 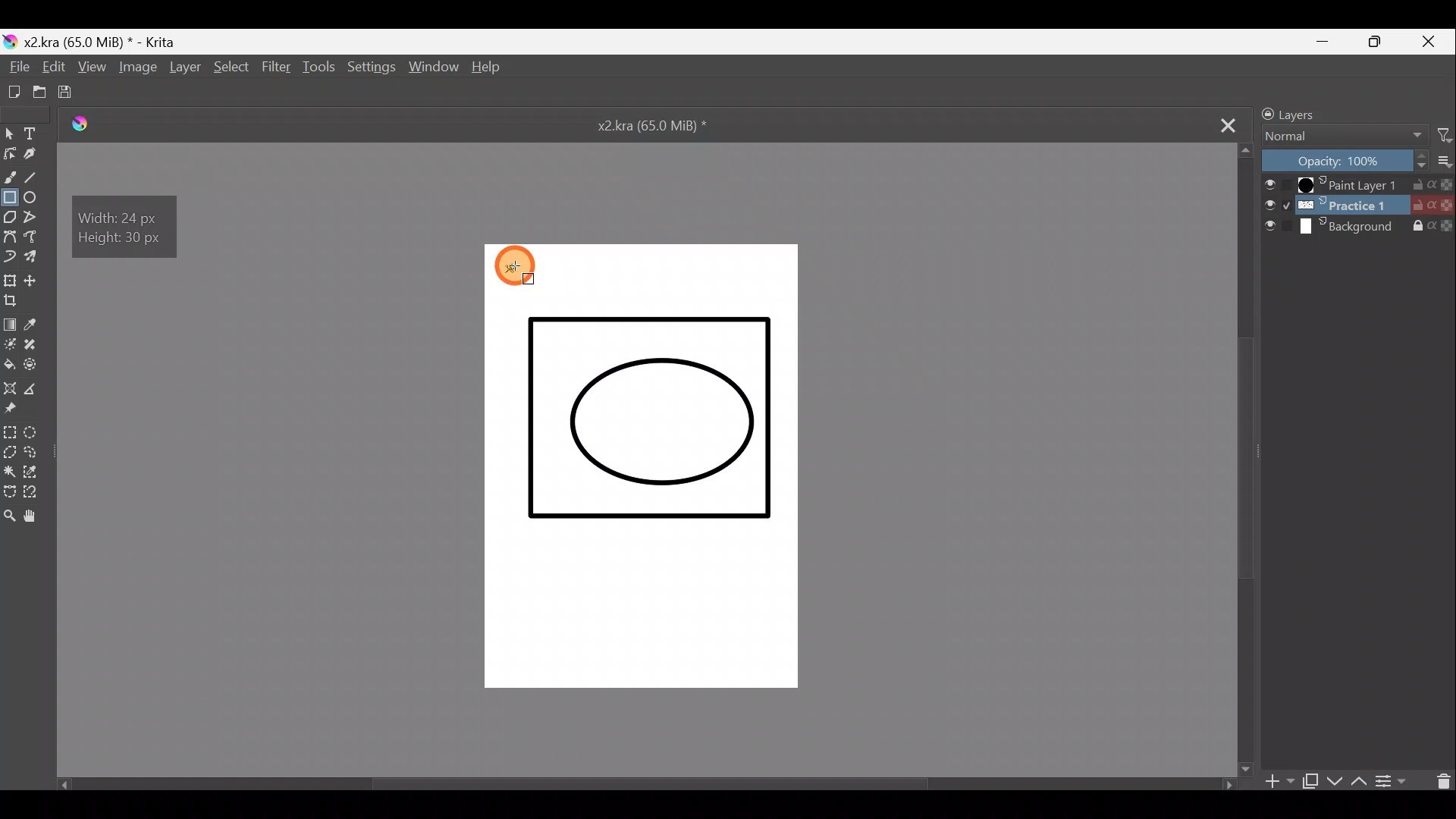 What do you see at coordinates (126, 218) in the screenshot?
I see `Width: 24 px` at bounding box center [126, 218].